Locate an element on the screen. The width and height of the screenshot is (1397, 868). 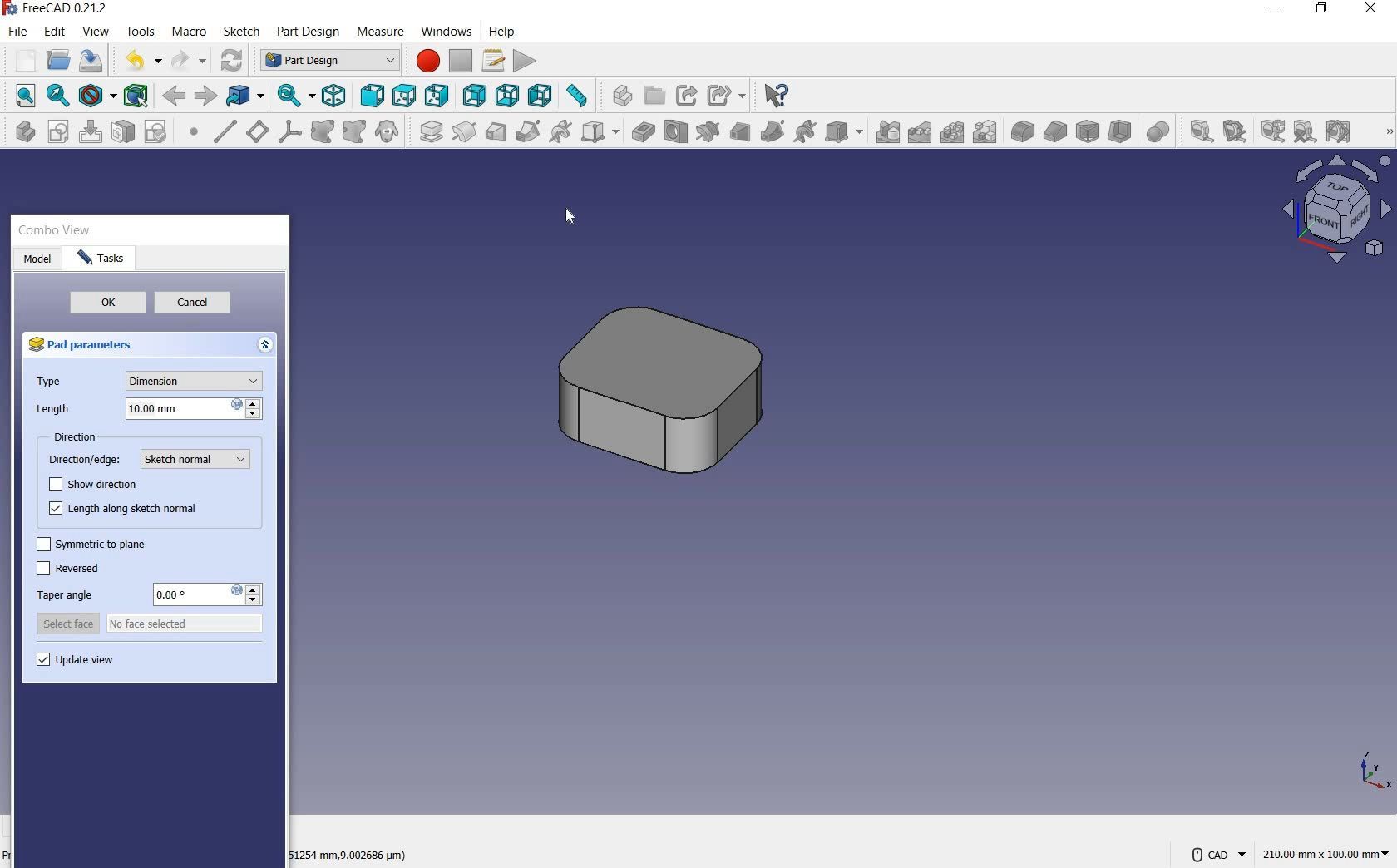
mirrored is located at coordinates (887, 134).